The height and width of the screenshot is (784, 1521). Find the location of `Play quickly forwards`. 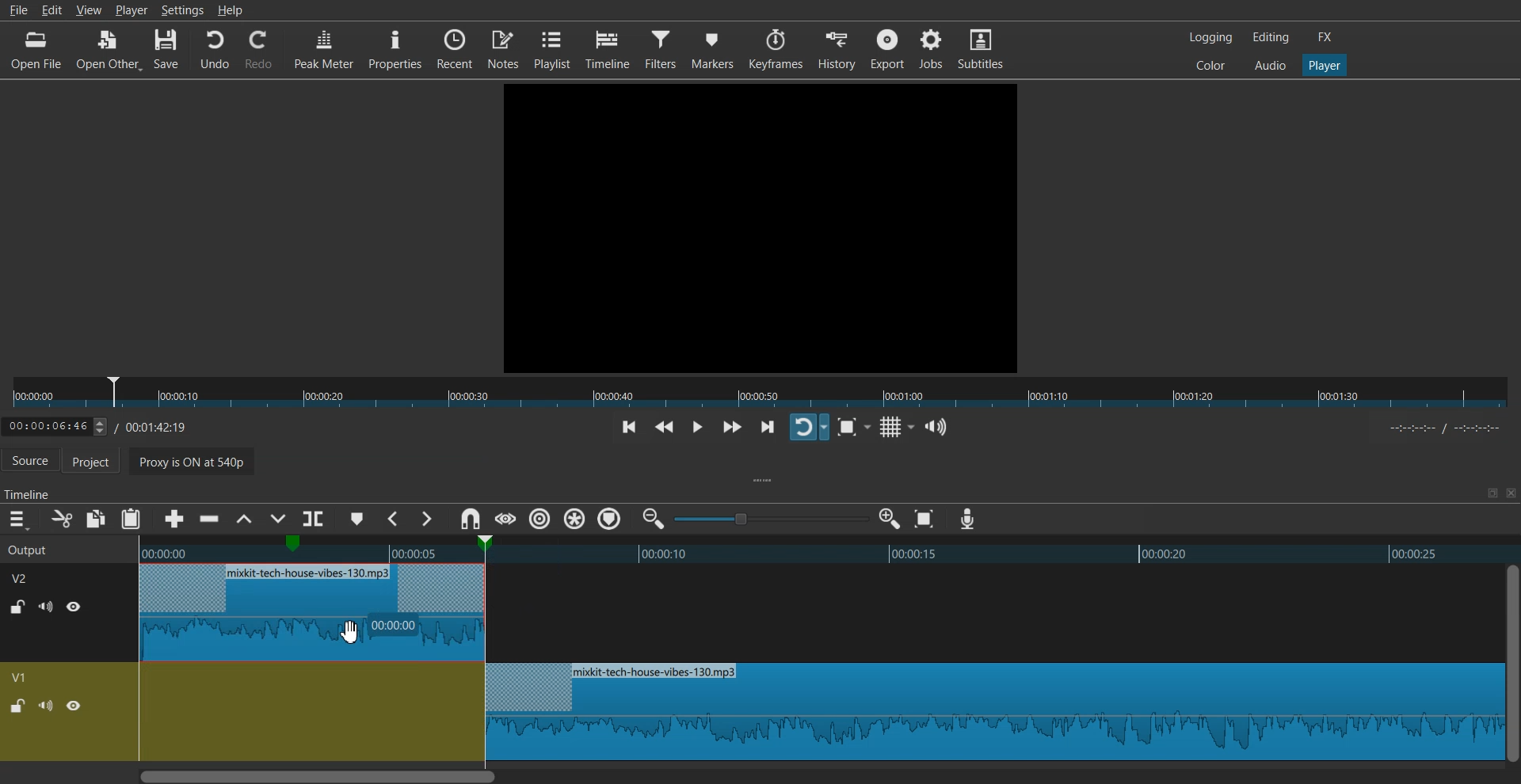

Play quickly forwards is located at coordinates (732, 427).